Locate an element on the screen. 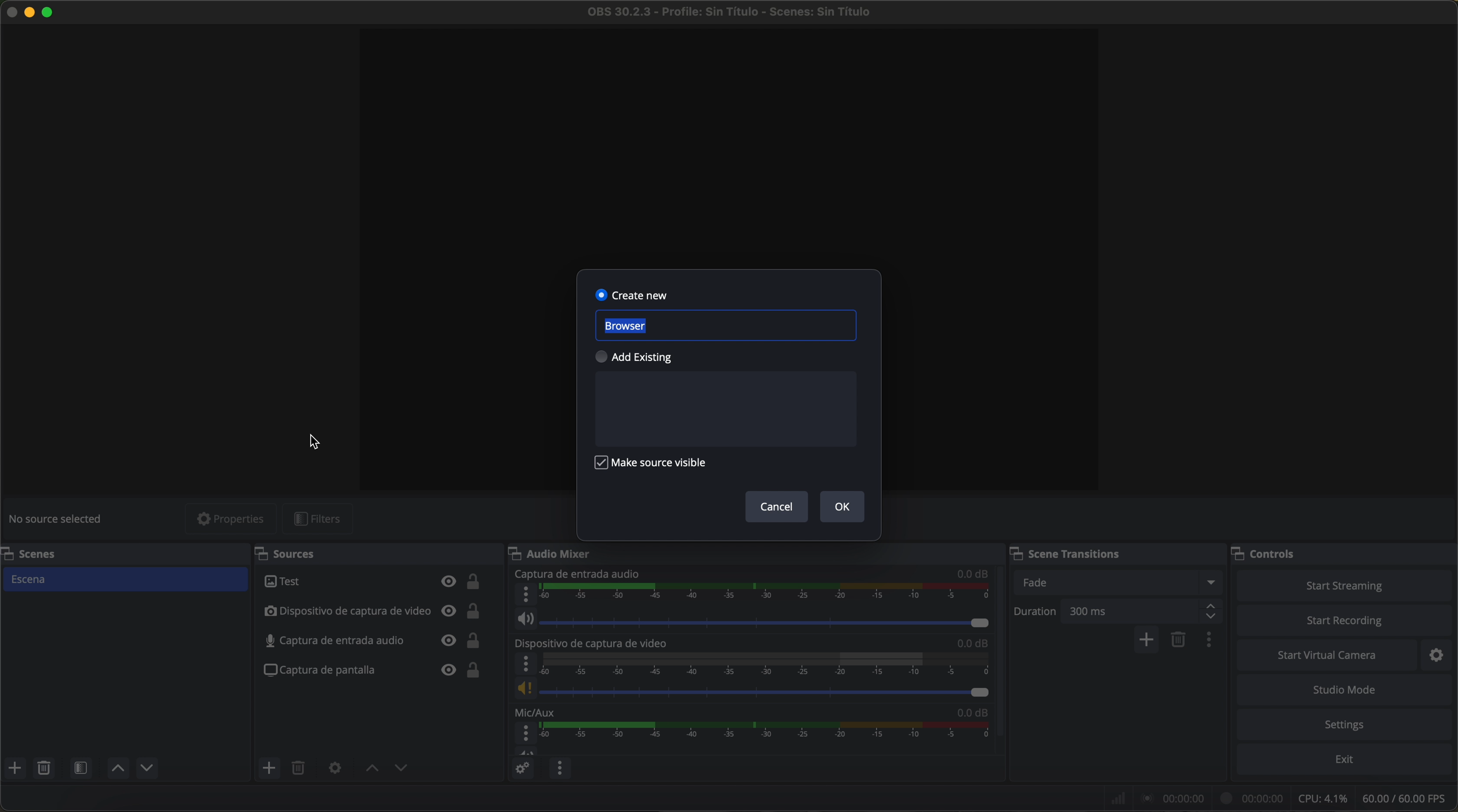  move sources down is located at coordinates (402, 770).